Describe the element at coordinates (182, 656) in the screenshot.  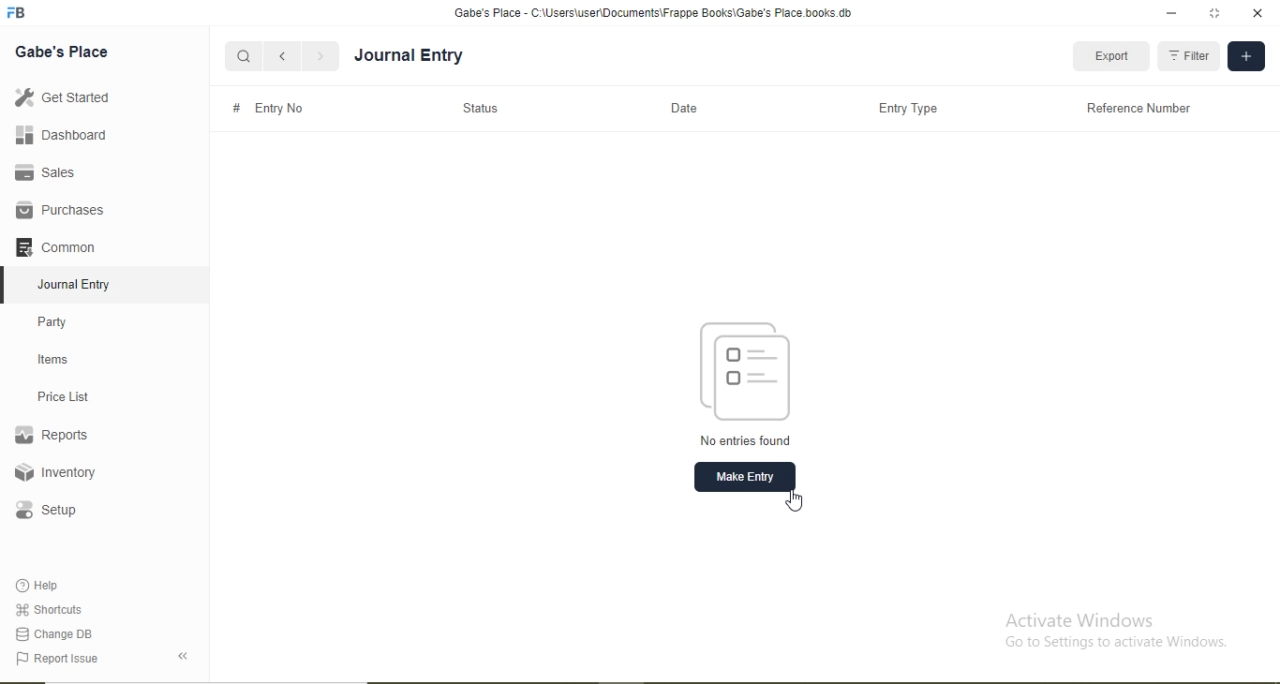
I see `Back` at that location.